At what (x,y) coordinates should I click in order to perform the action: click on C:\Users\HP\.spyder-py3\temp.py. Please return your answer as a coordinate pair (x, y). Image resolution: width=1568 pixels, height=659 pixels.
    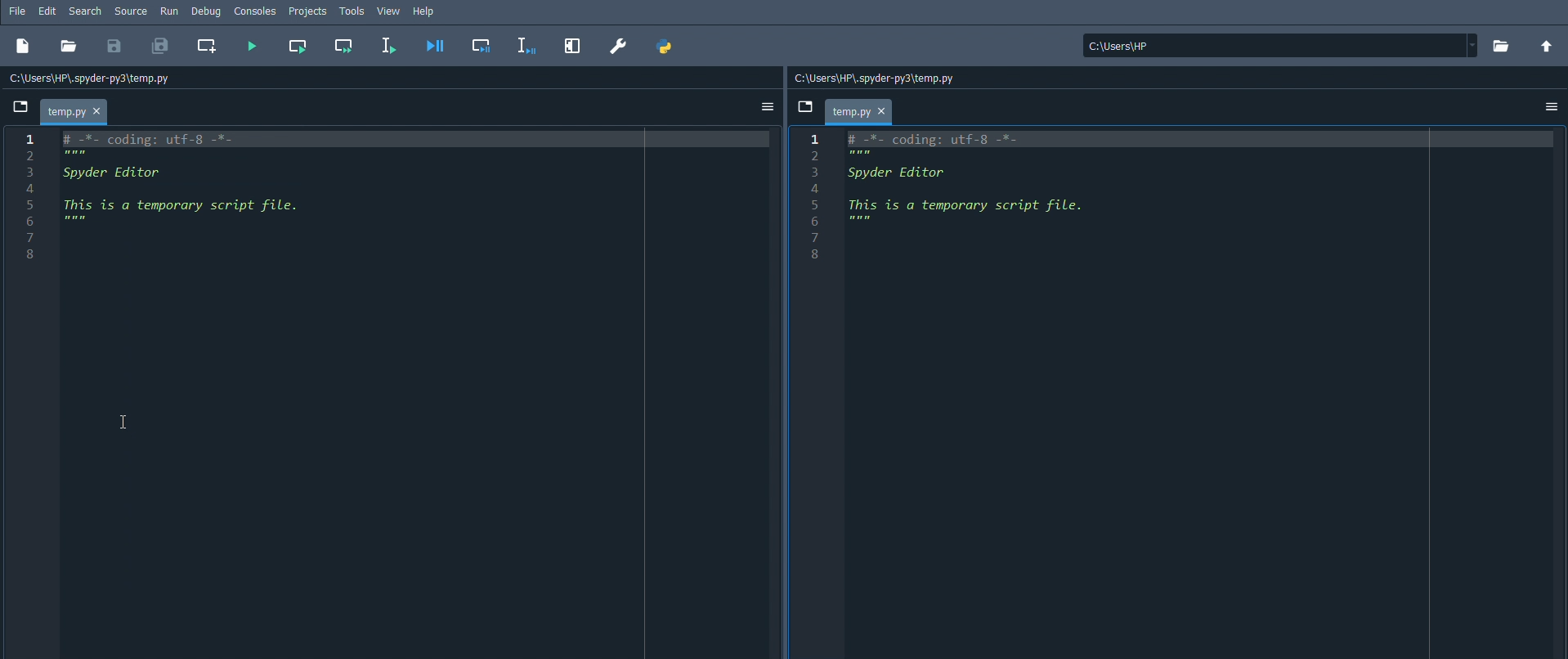
    Looking at the image, I should click on (96, 80).